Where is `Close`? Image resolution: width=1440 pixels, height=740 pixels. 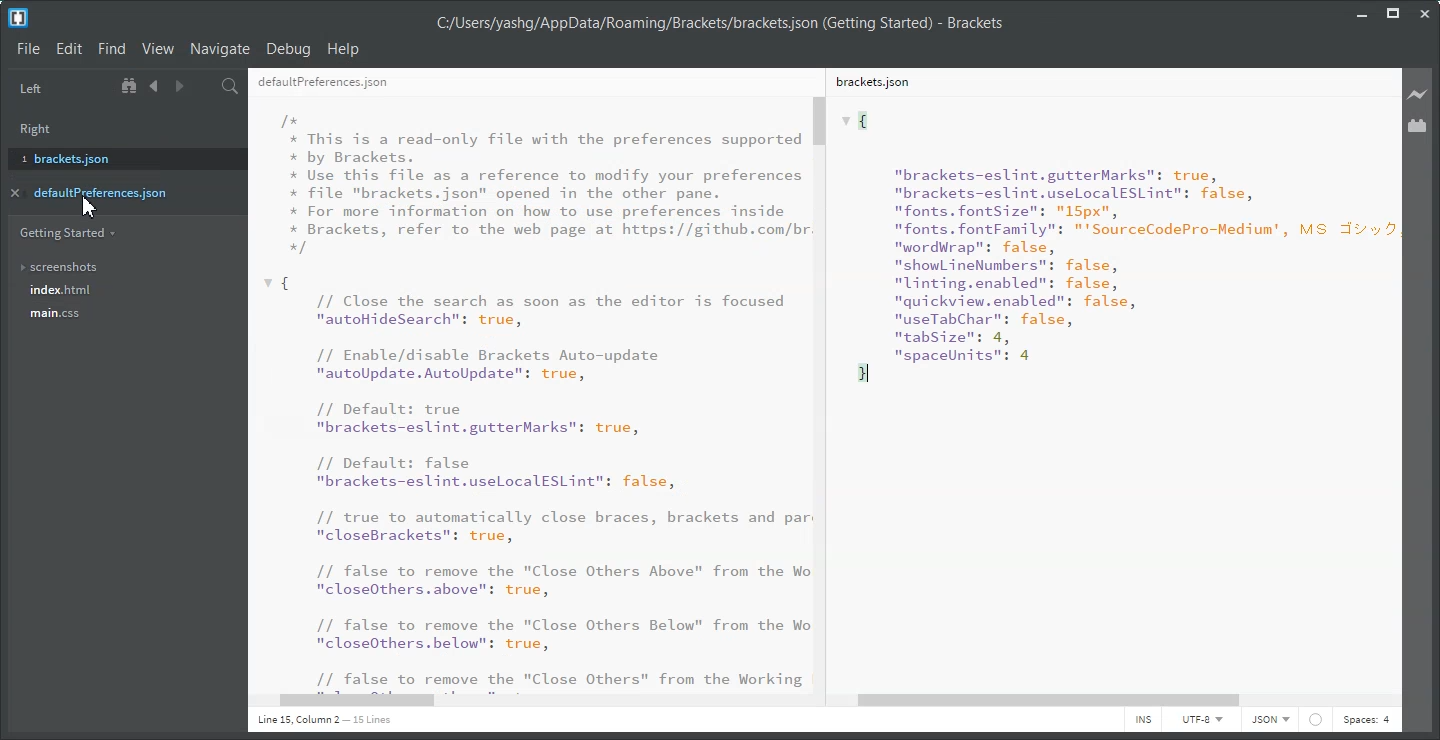
Close is located at coordinates (1424, 14).